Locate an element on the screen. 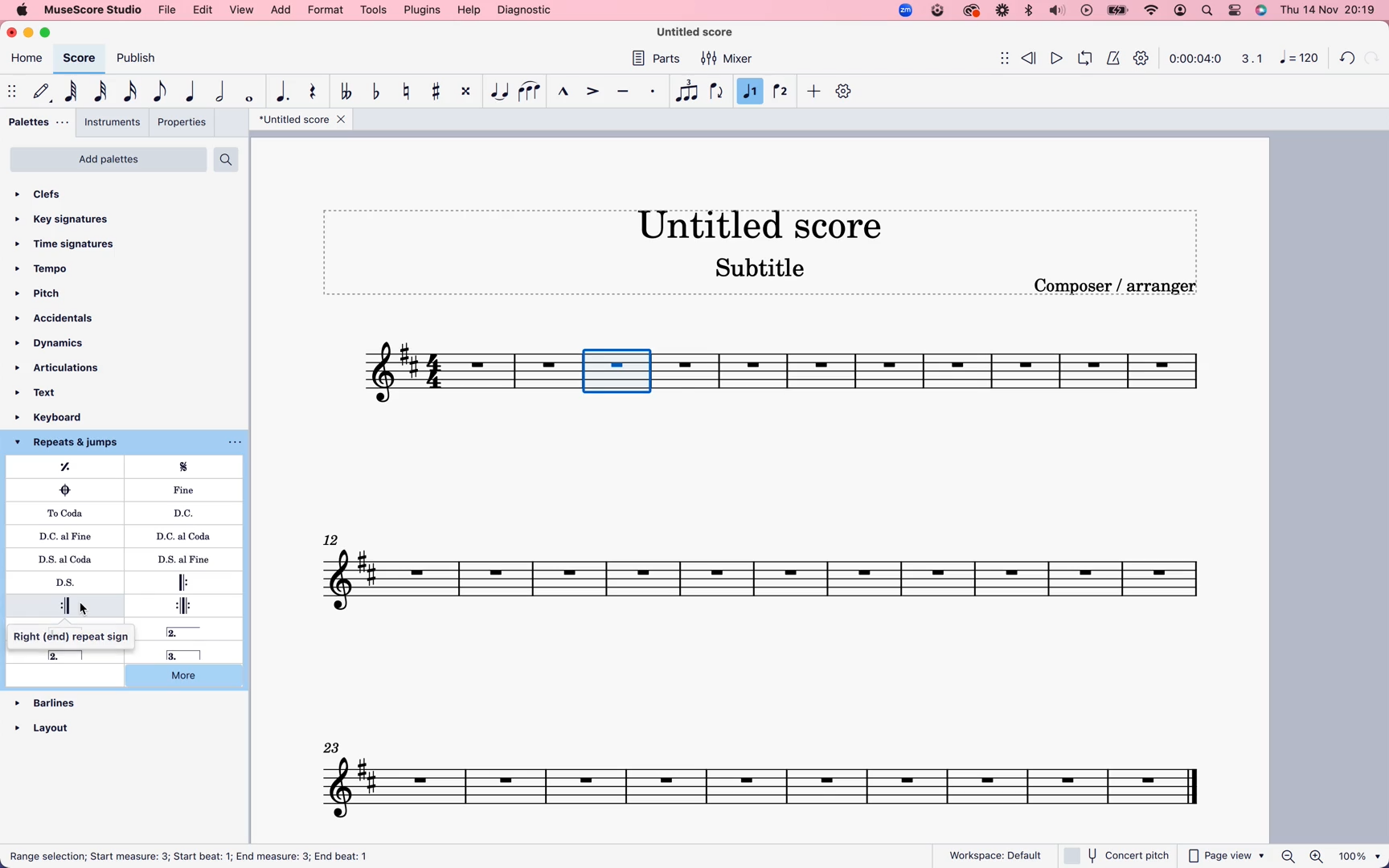 The height and width of the screenshot is (868, 1389). score is located at coordinates (960, 377).